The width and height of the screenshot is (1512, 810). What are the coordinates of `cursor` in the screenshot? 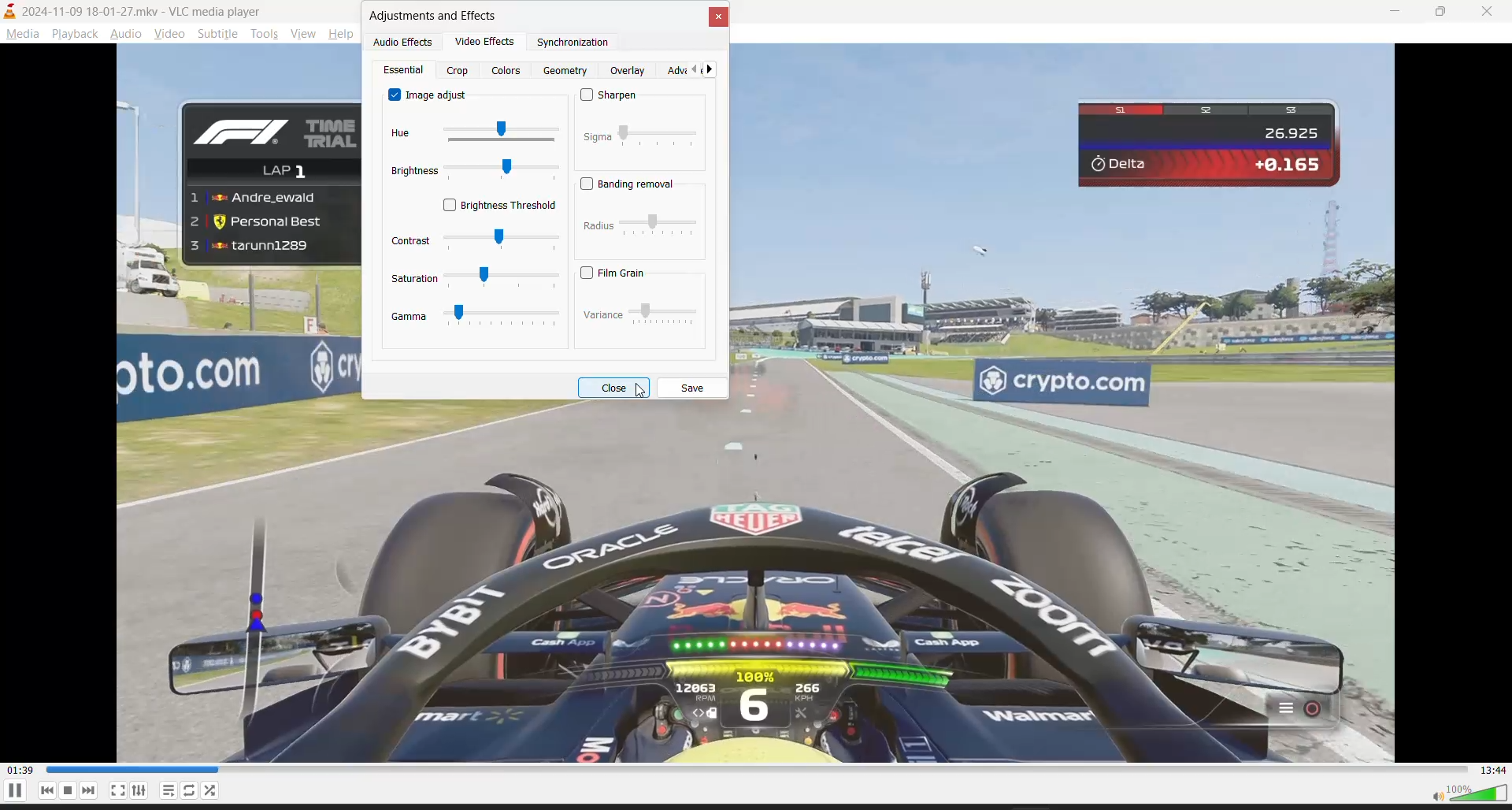 It's located at (642, 392).